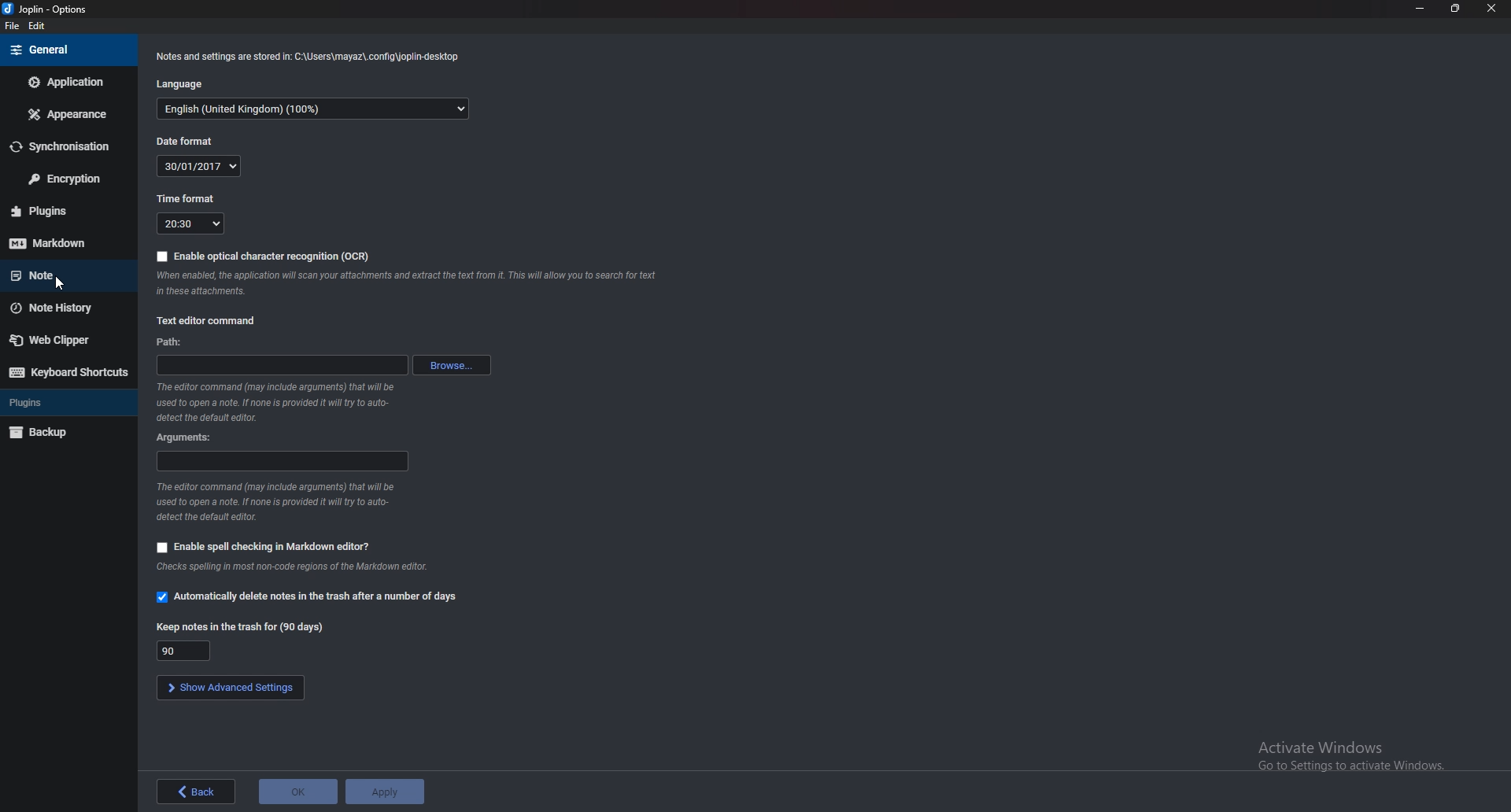  I want to click on path, so click(174, 342).